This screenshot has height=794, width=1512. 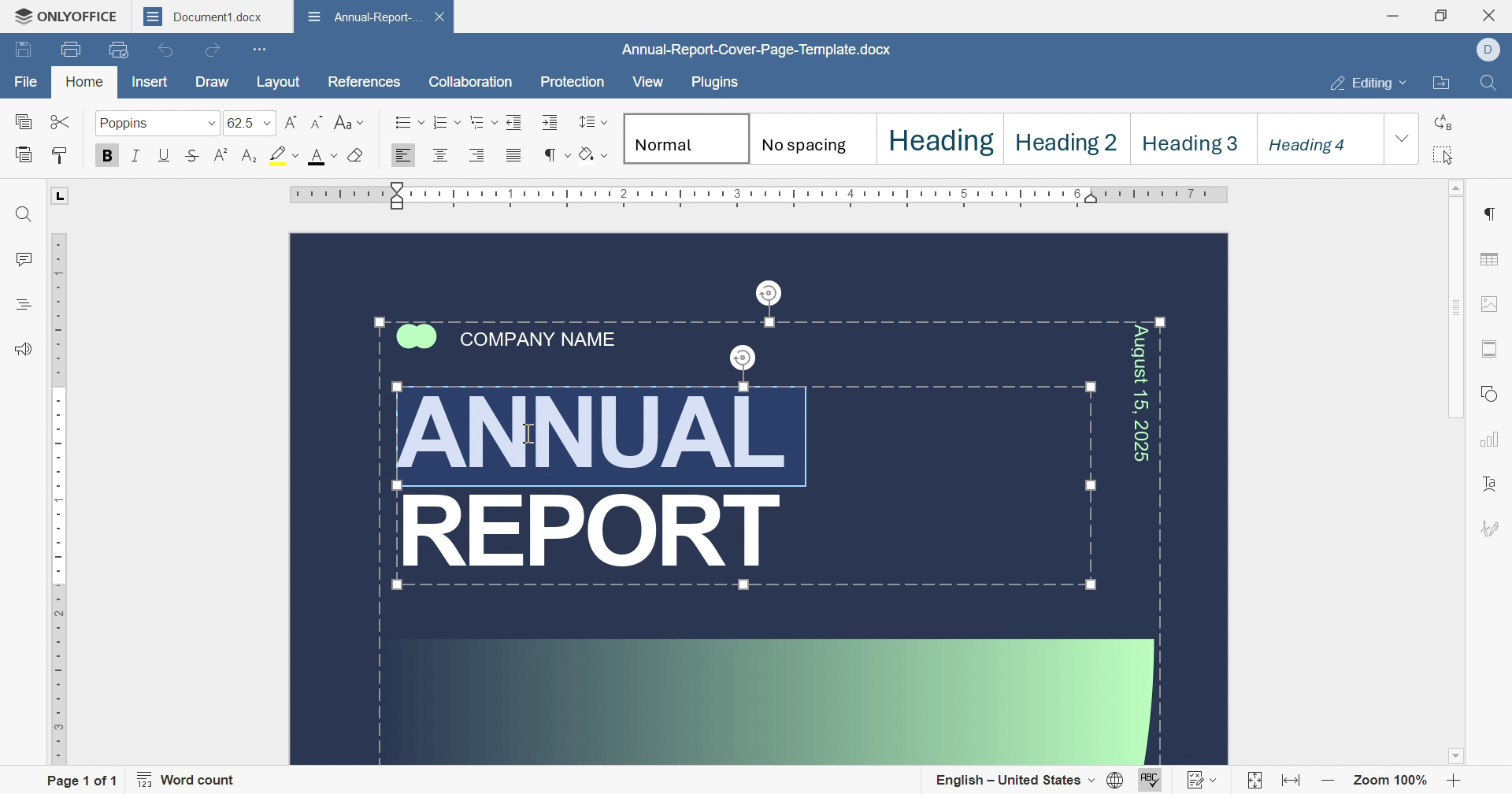 What do you see at coordinates (400, 157) in the screenshot?
I see `align left` at bounding box center [400, 157].